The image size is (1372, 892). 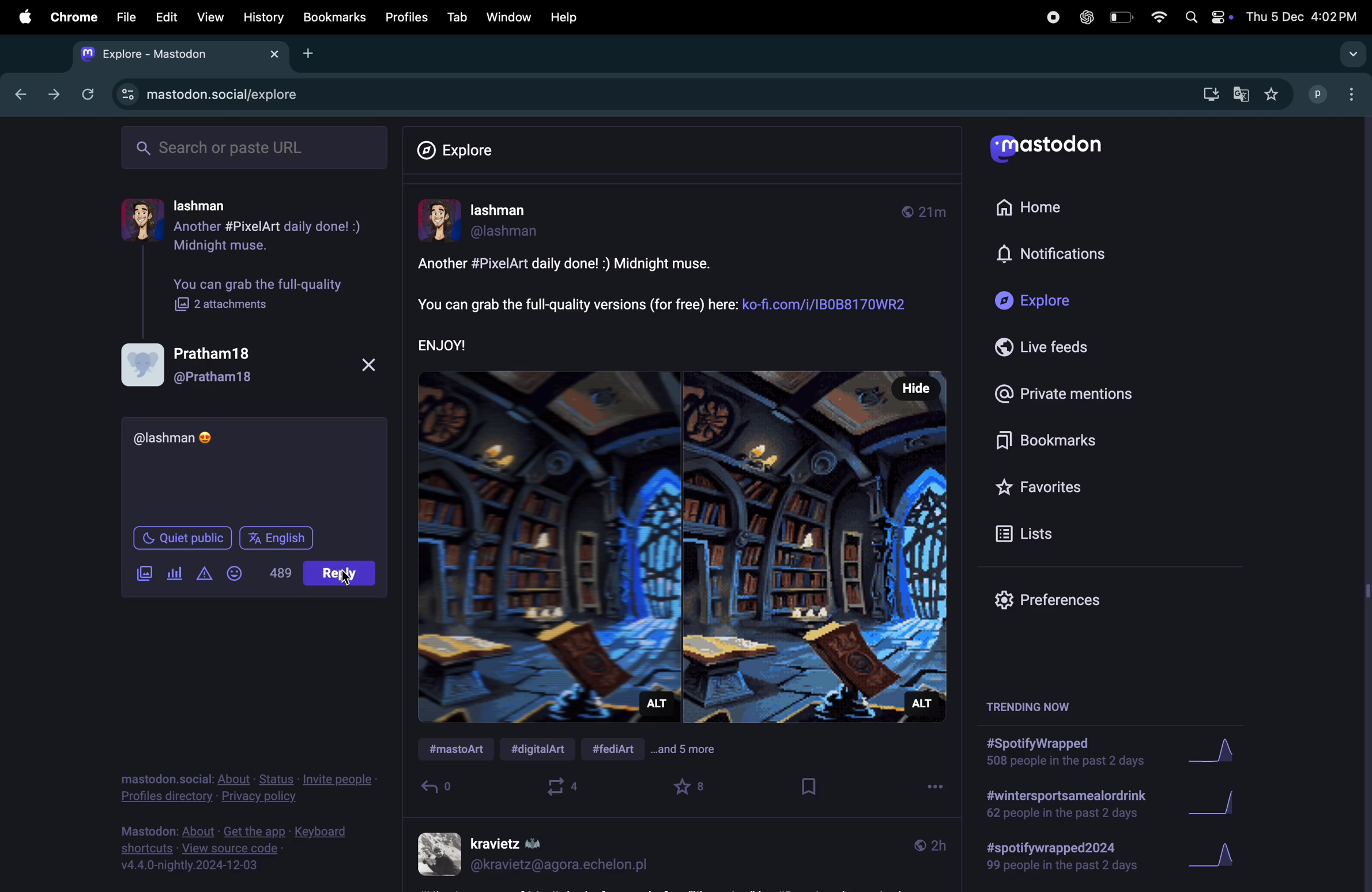 I want to click on book mark, so click(x=806, y=788).